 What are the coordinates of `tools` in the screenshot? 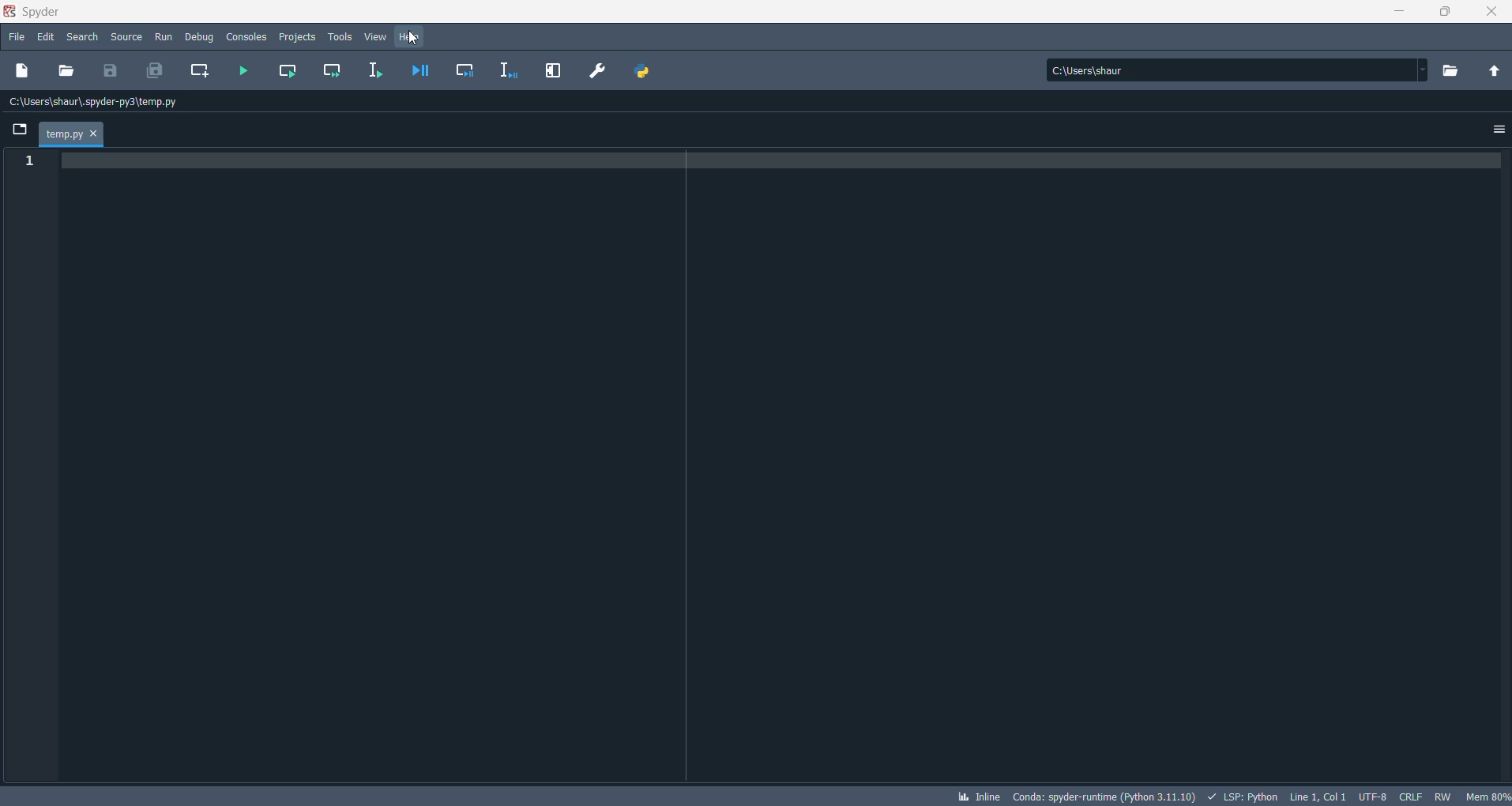 It's located at (340, 36).